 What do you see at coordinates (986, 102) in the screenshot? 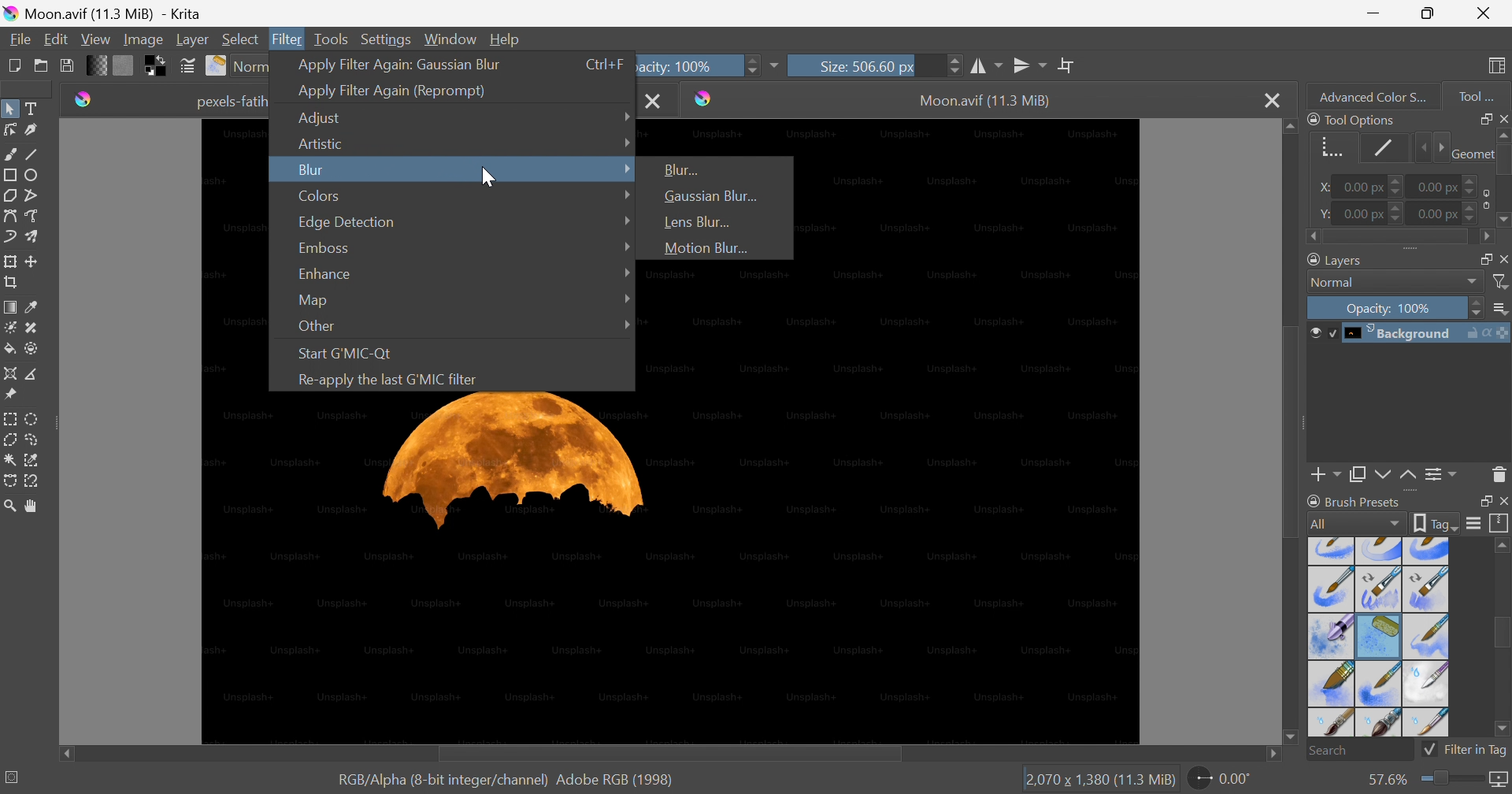
I see `Moon.avif (11.3 MiB)` at bounding box center [986, 102].